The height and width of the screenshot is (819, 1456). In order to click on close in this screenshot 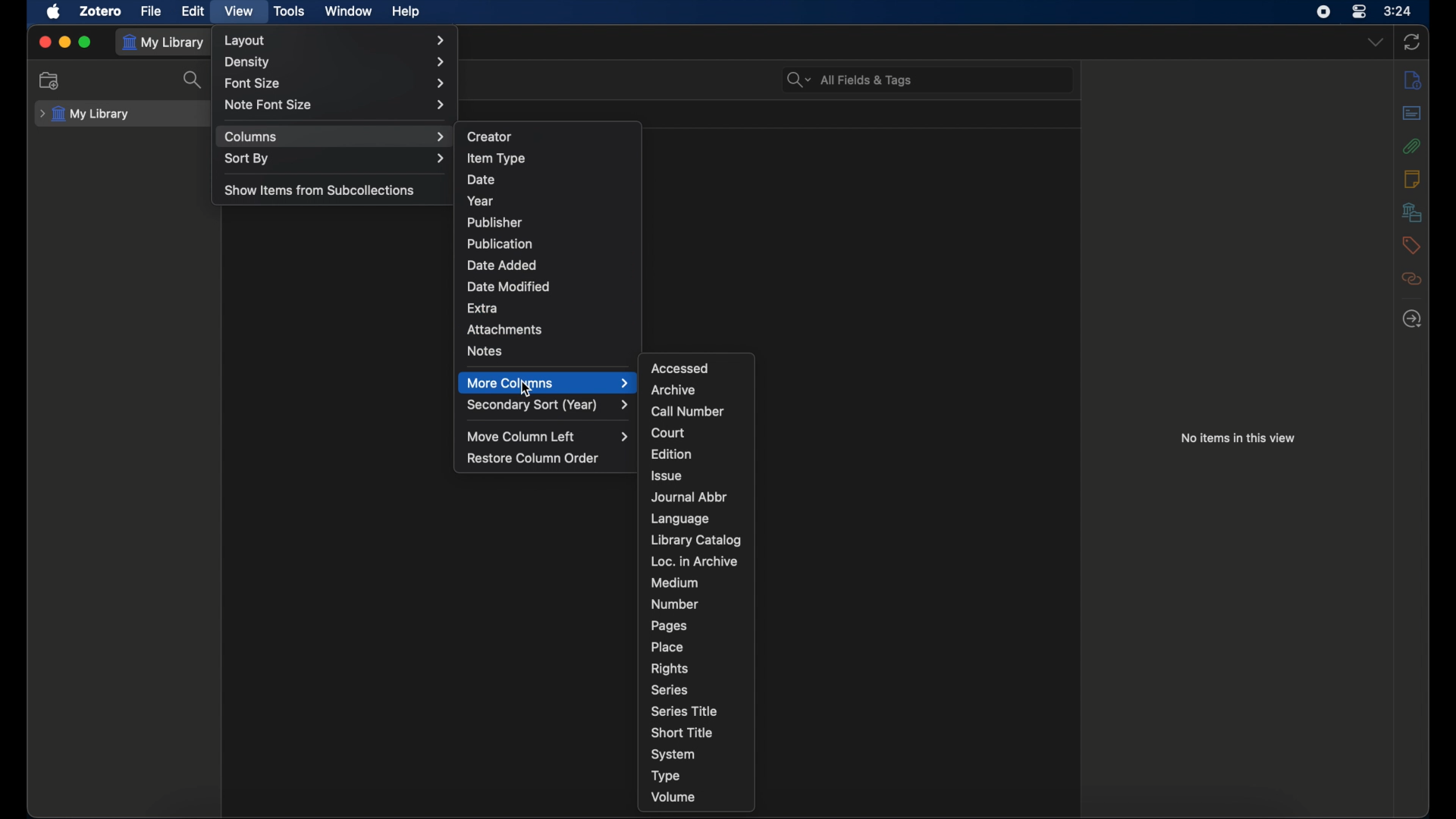, I will do `click(45, 42)`.